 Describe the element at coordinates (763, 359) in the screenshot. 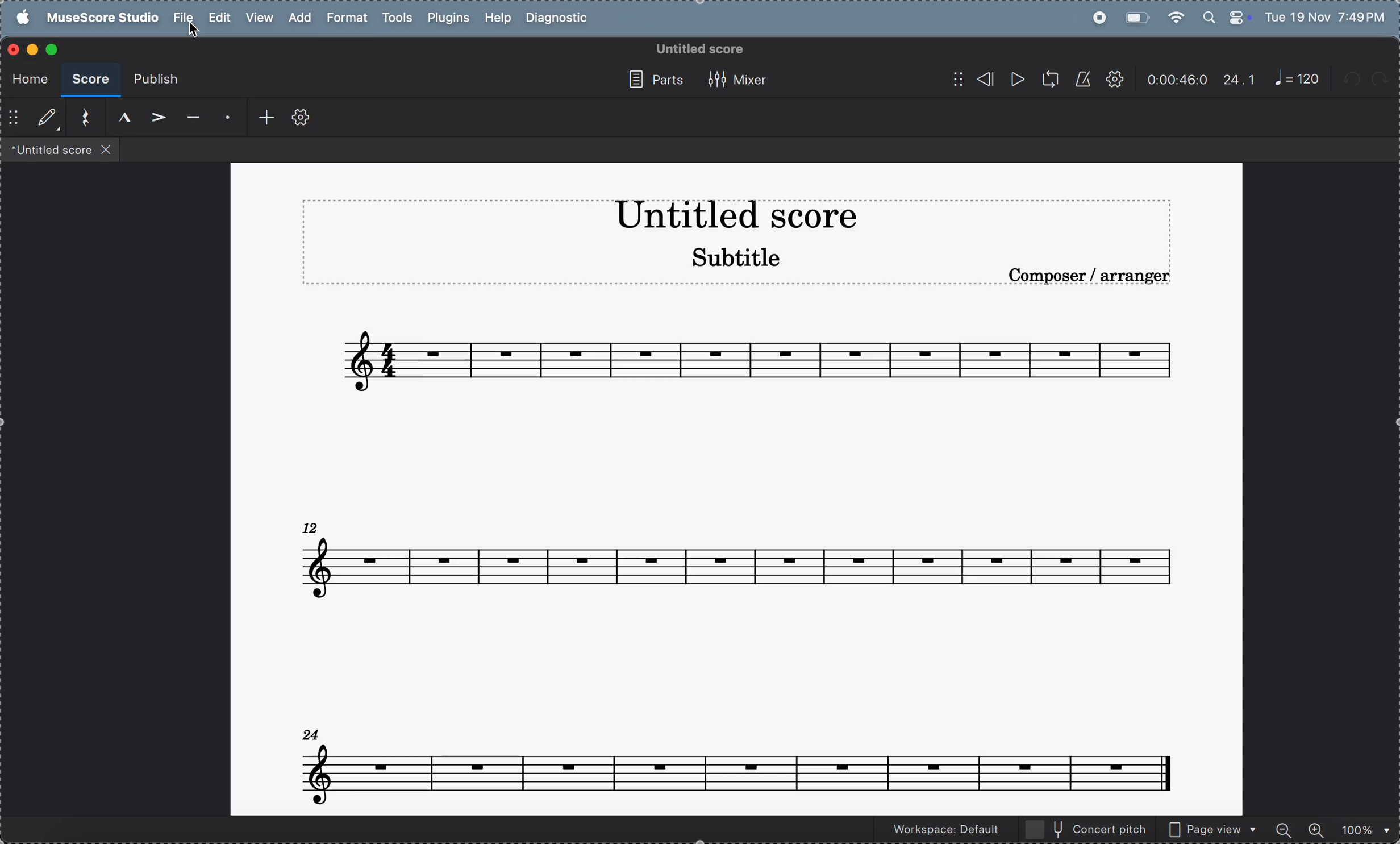

I see `notes` at that location.